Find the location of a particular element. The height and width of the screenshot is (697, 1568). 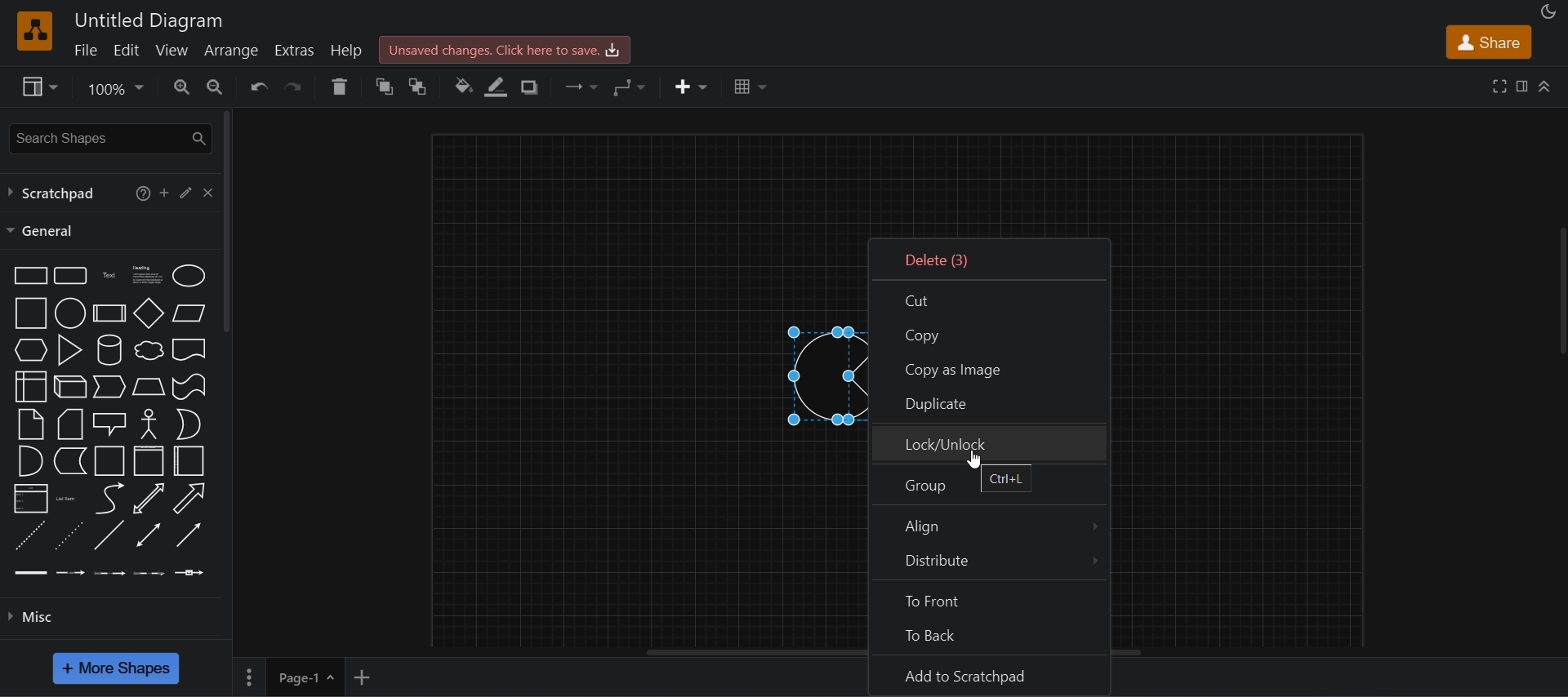

hexagon is located at coordinates (29, 349).